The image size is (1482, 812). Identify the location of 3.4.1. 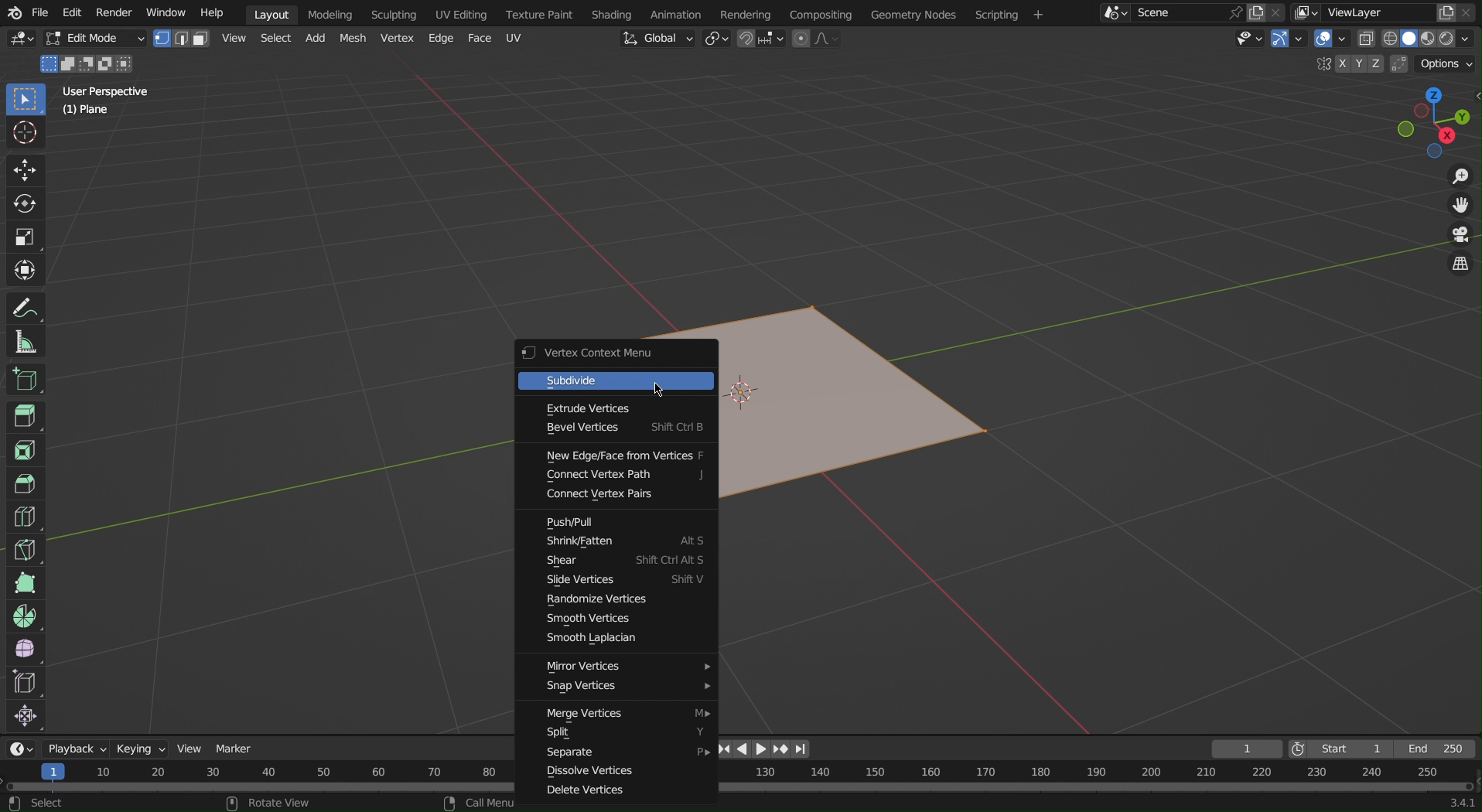
(1453, 803).